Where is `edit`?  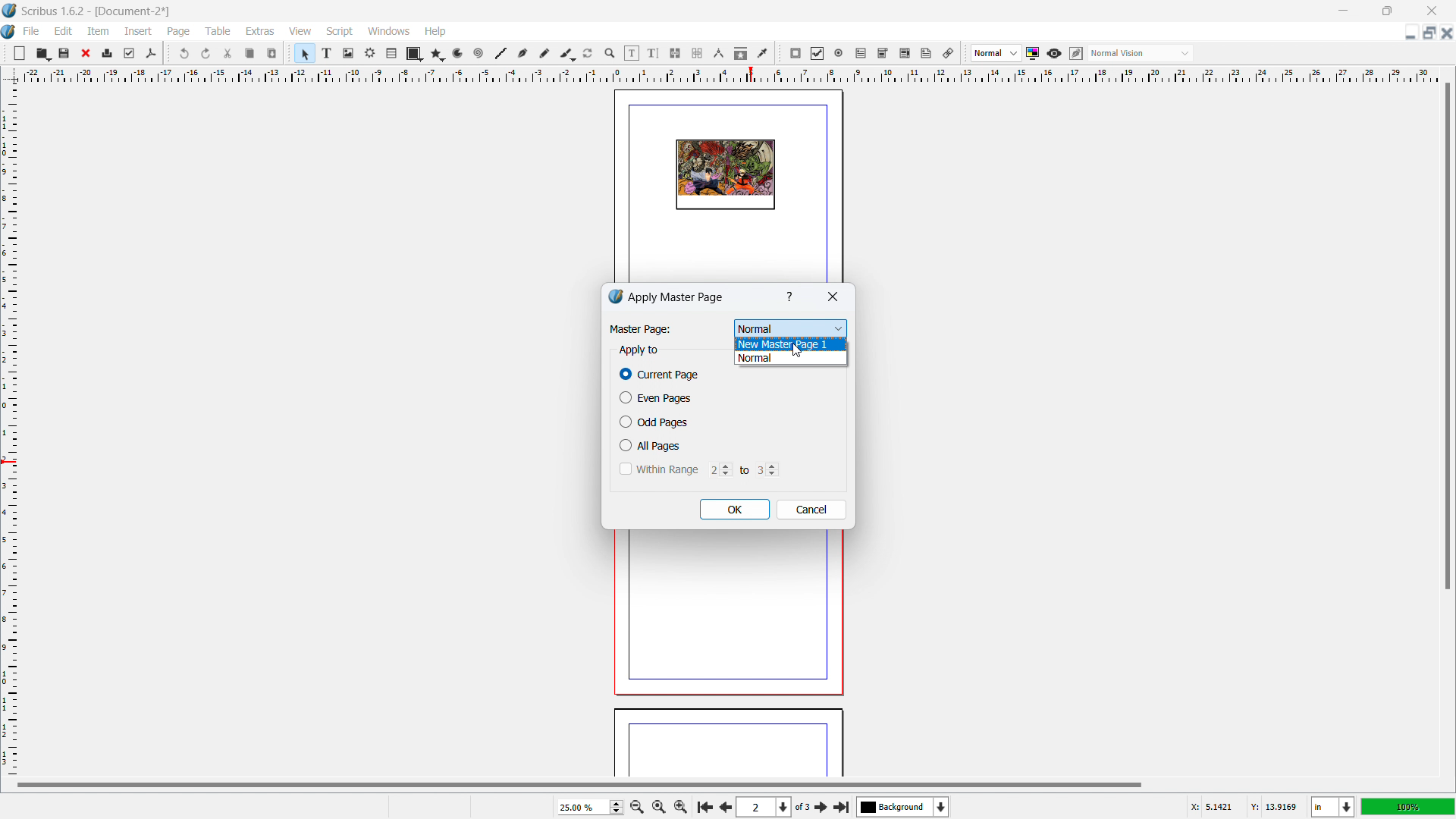 edit is located at coordinates (64, 31).